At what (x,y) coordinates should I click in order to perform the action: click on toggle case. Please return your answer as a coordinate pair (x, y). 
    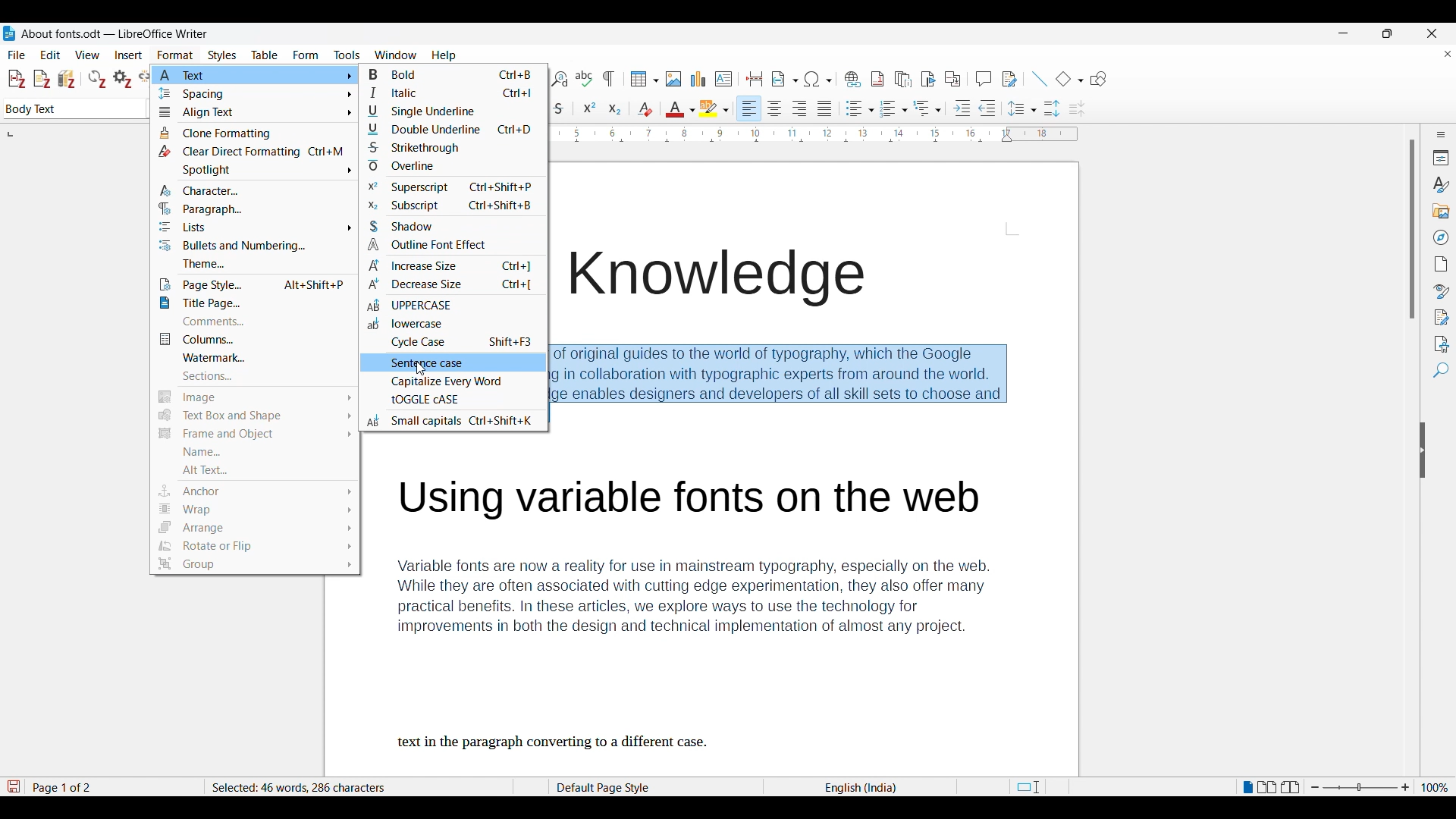
    Looking at the image, I should click on (429, 402).